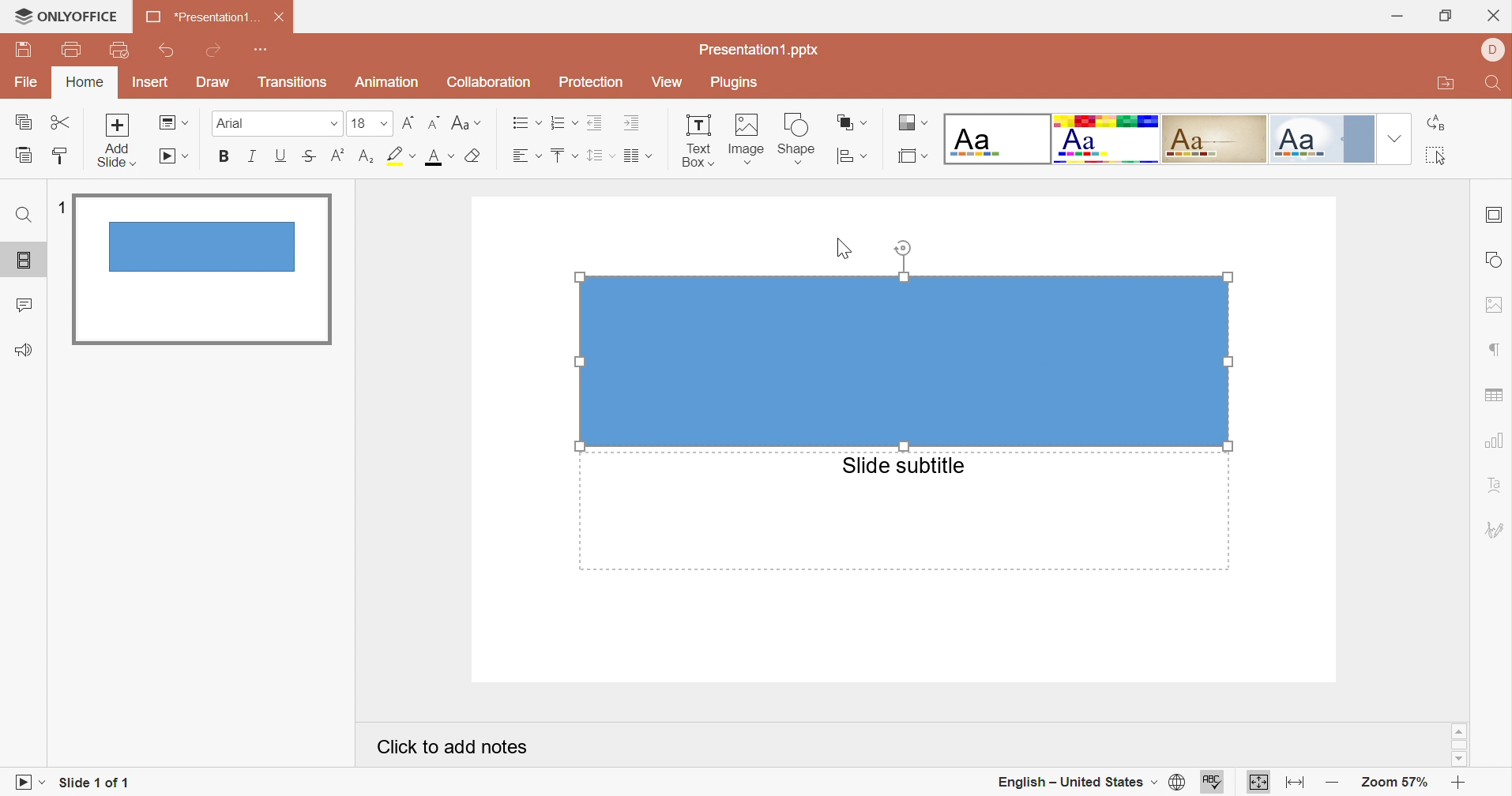 This screenshot has height=796, width=1512. Describe the element at coordinates (258, 50) in the screenshot. I see `Customize Quick Access Toolbar` at that location.